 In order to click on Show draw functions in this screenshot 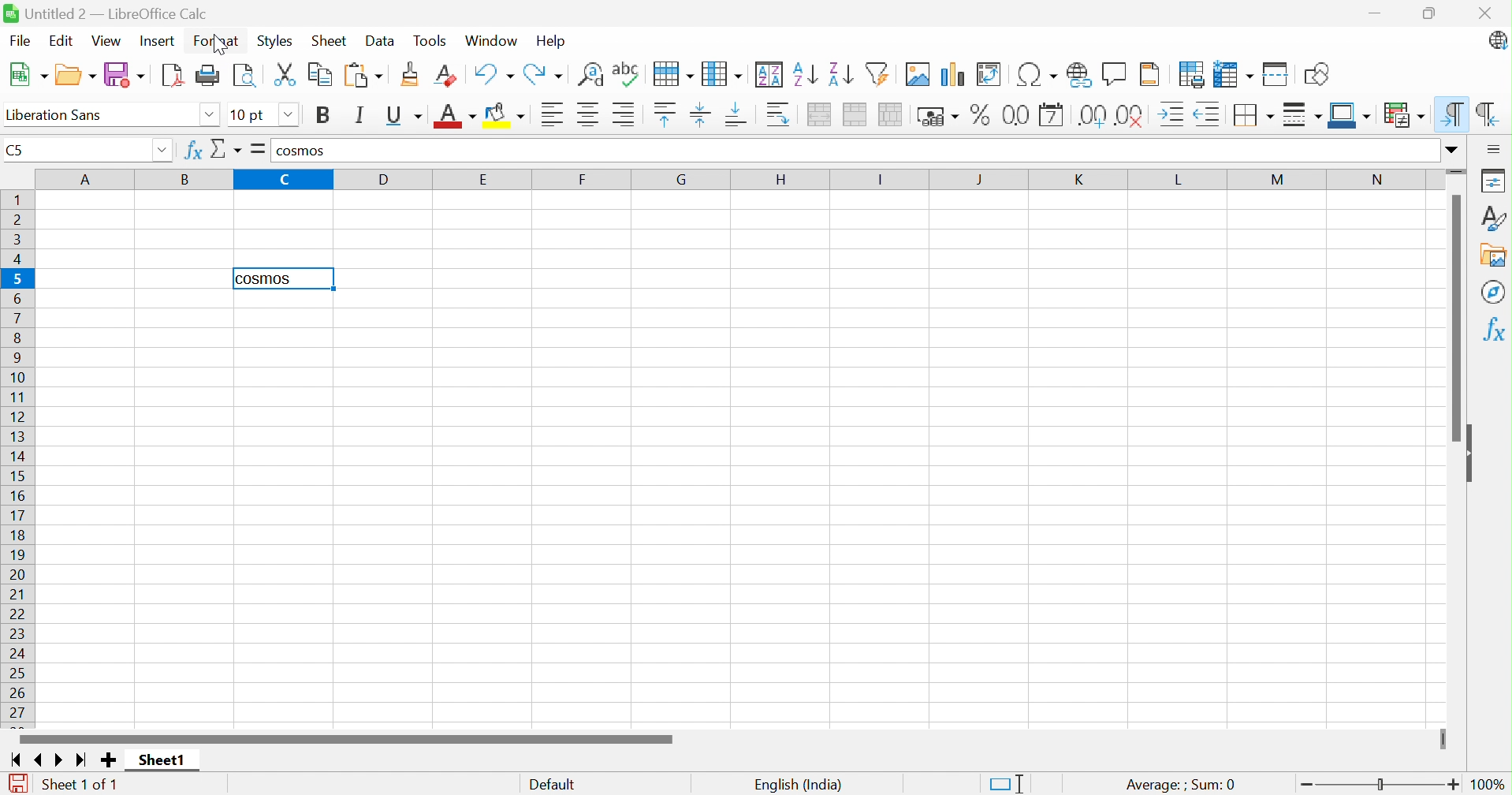, I will do `click(1316, 73)`.